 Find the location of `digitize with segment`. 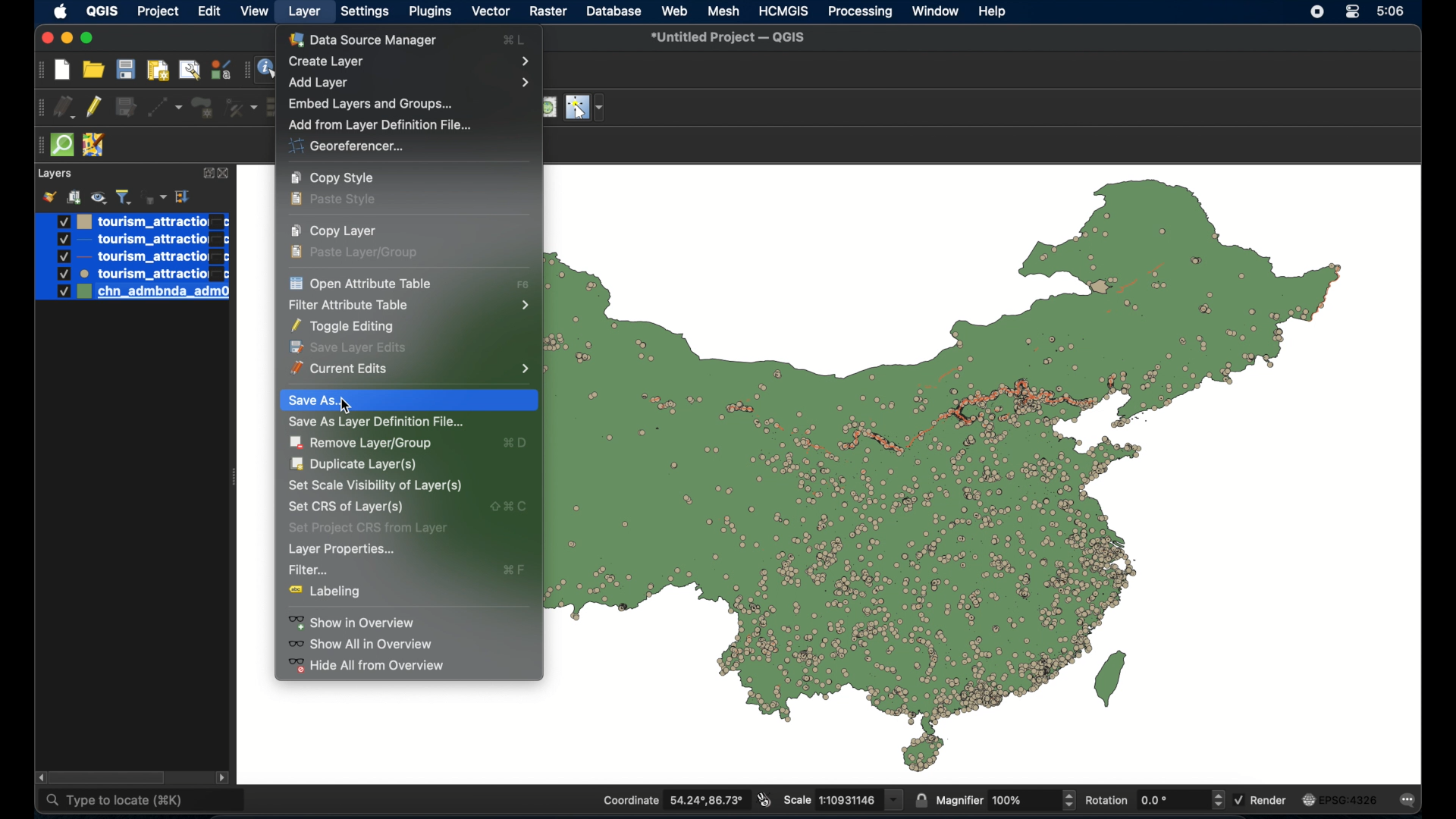

digitize with segment is located at coordinates (165, 108).